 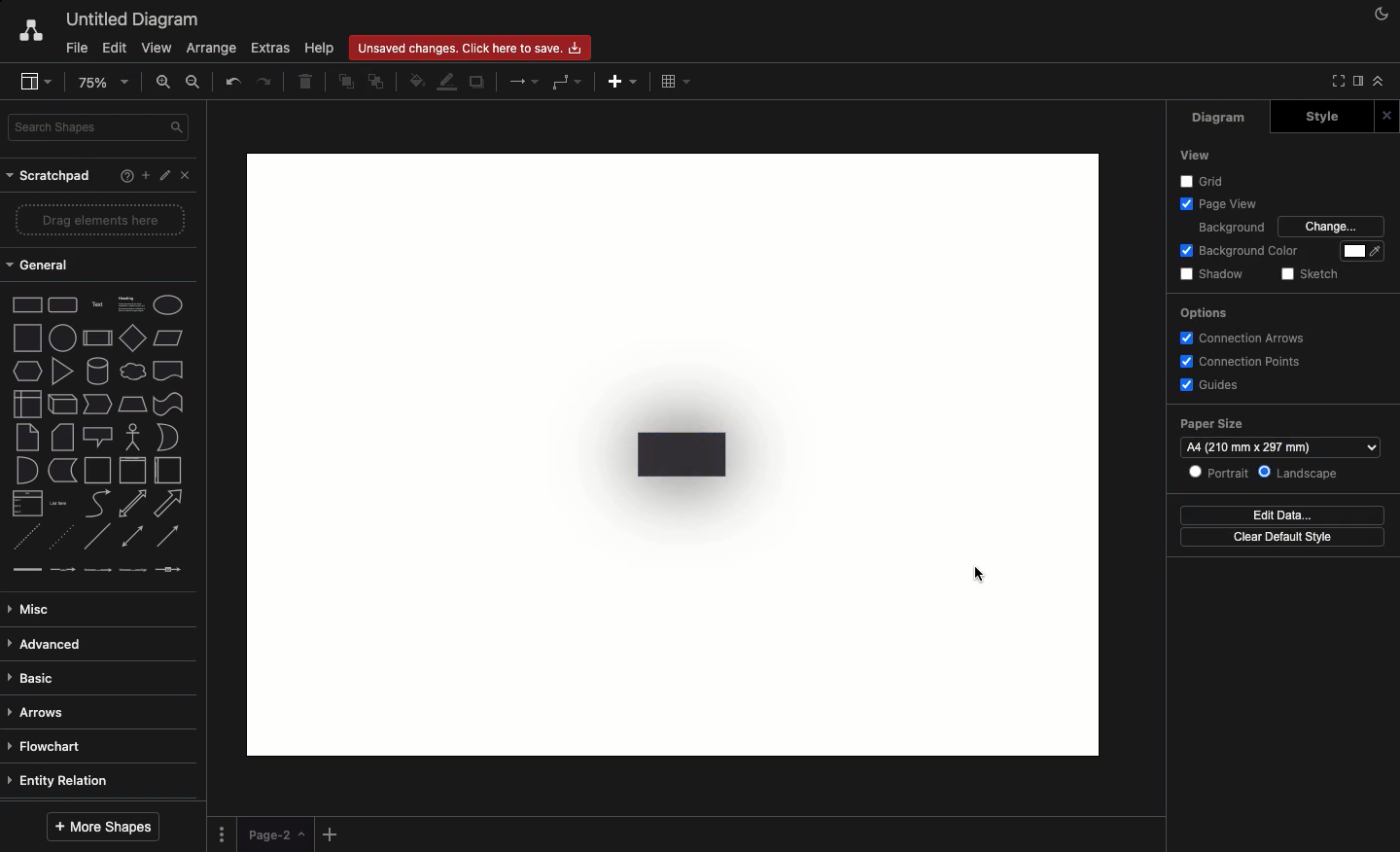 What do you see at coordinates (60, 782) in the screenshot?
I see `Entity relation` at bounding box center [60, 782].